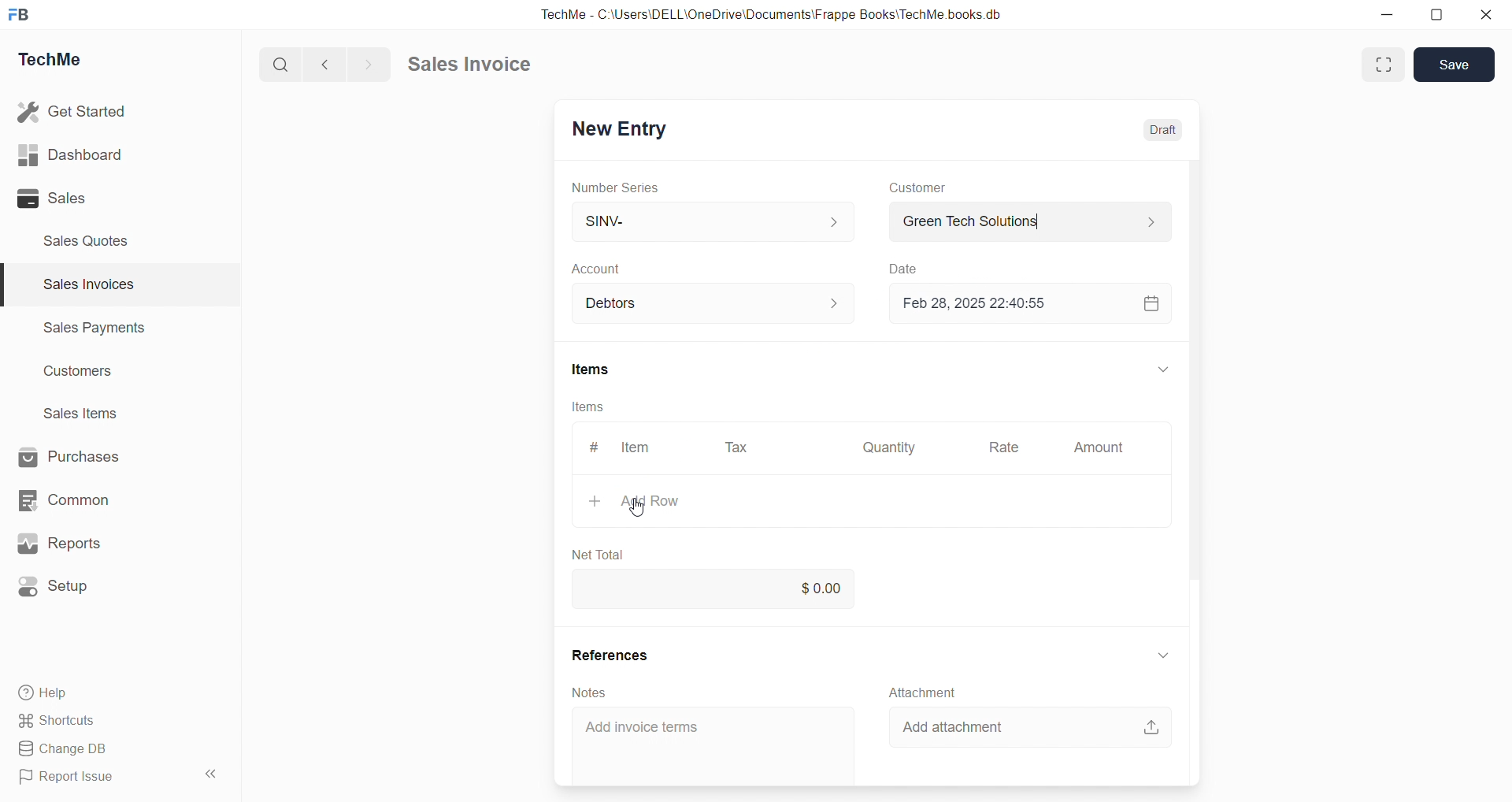 Image resolution: width=1512 pixels, height=802 pixels. Describe the element at coordinates (1386, 14) in the screenshot. I see `minimize` at that location.